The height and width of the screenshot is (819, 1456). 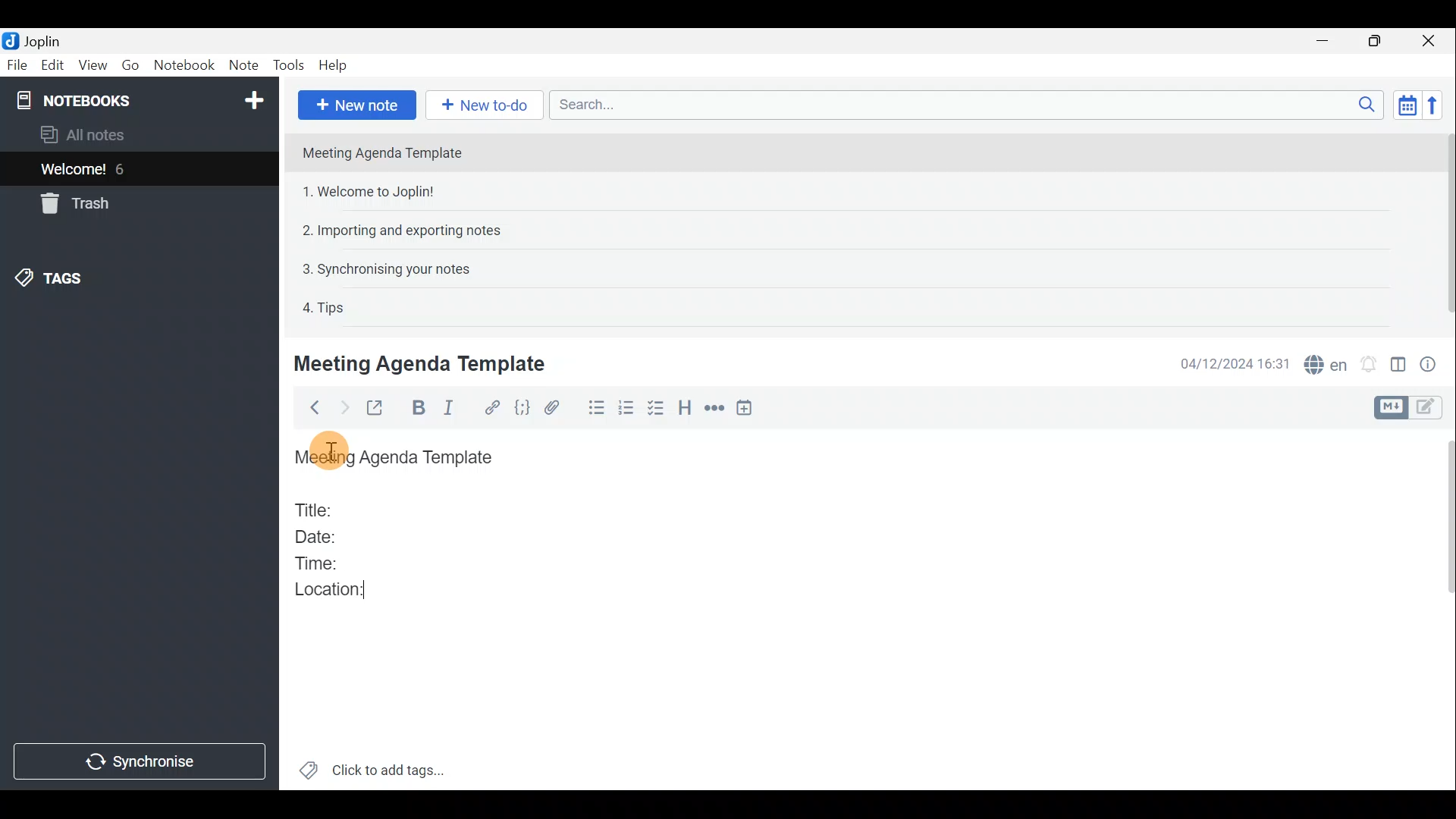 I want to click on Joplin, so click(x=42, y=40).